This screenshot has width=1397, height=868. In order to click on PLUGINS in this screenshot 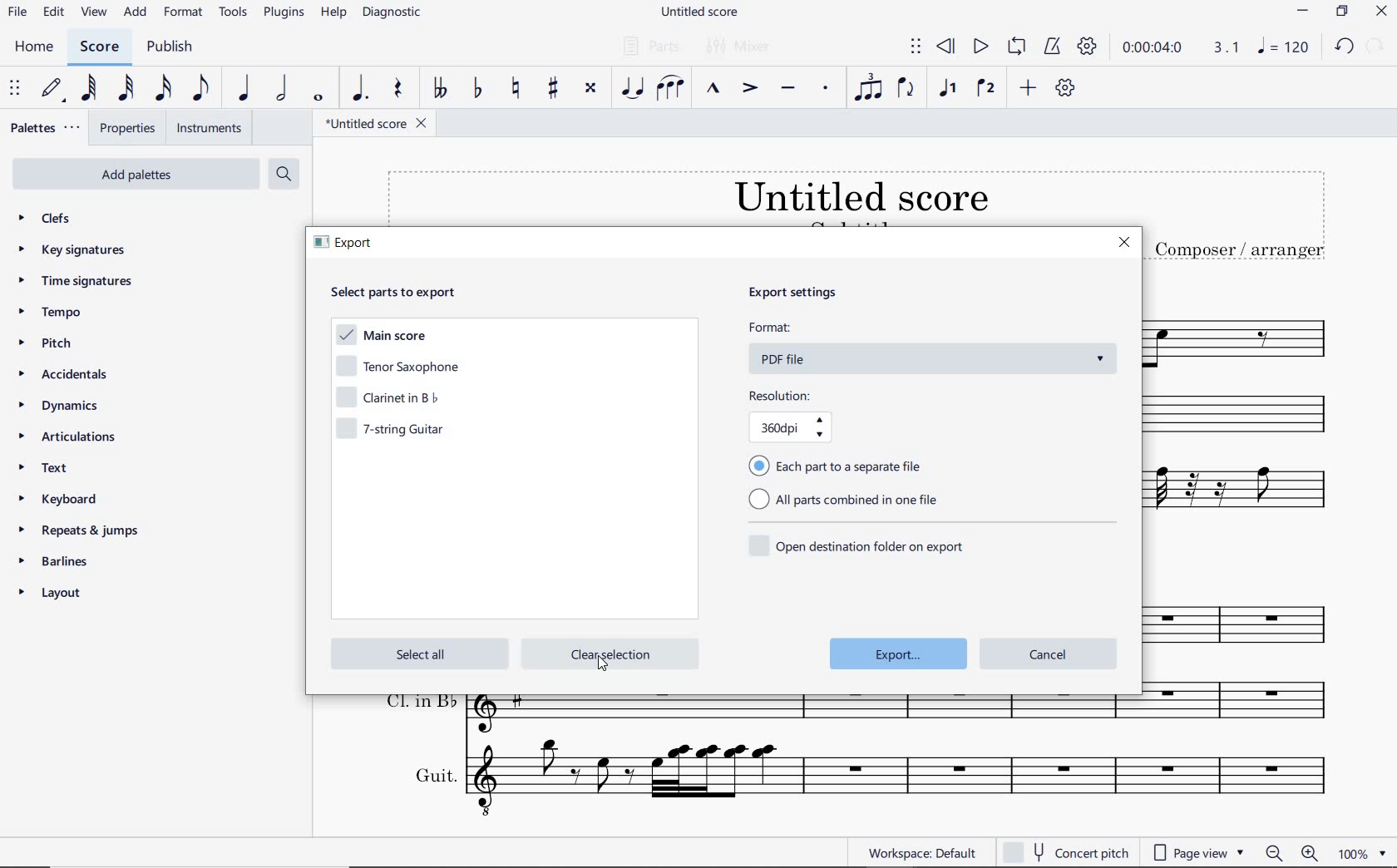, I will do `click(286, 16)`.